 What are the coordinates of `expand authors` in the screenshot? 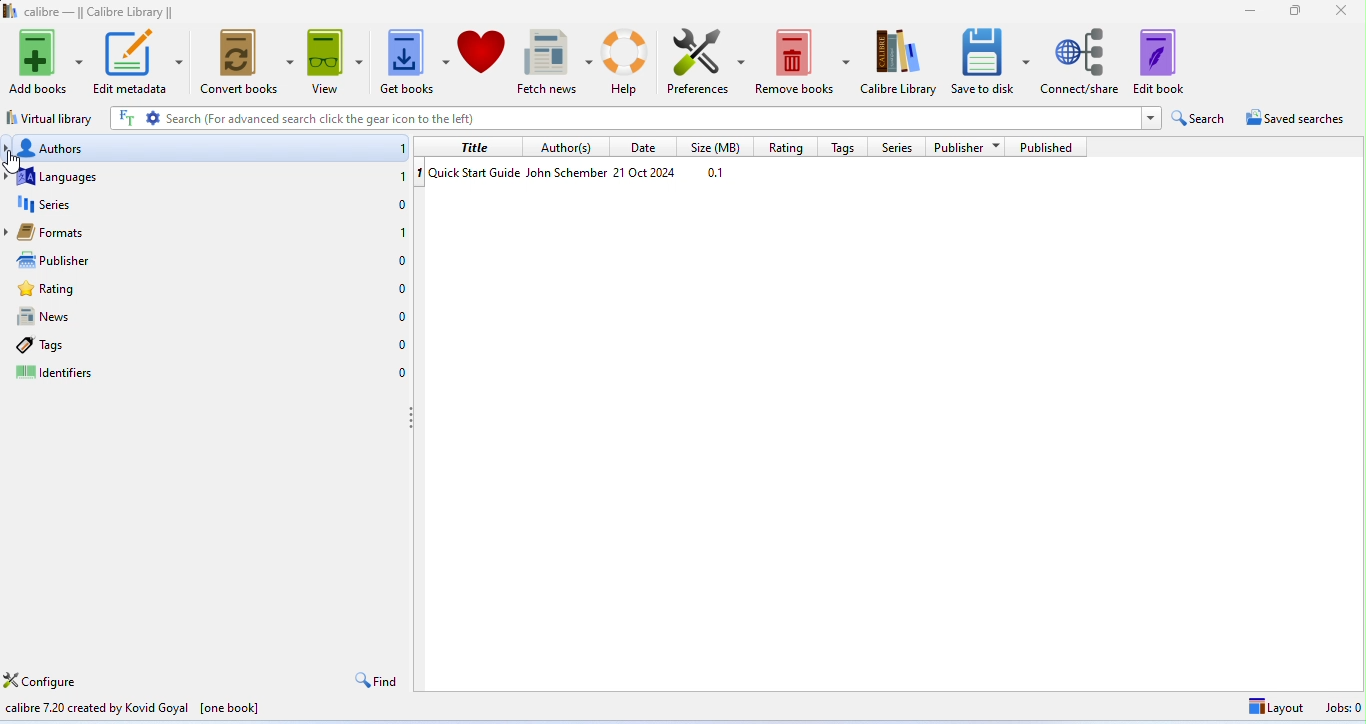 It's located at (9, 147).